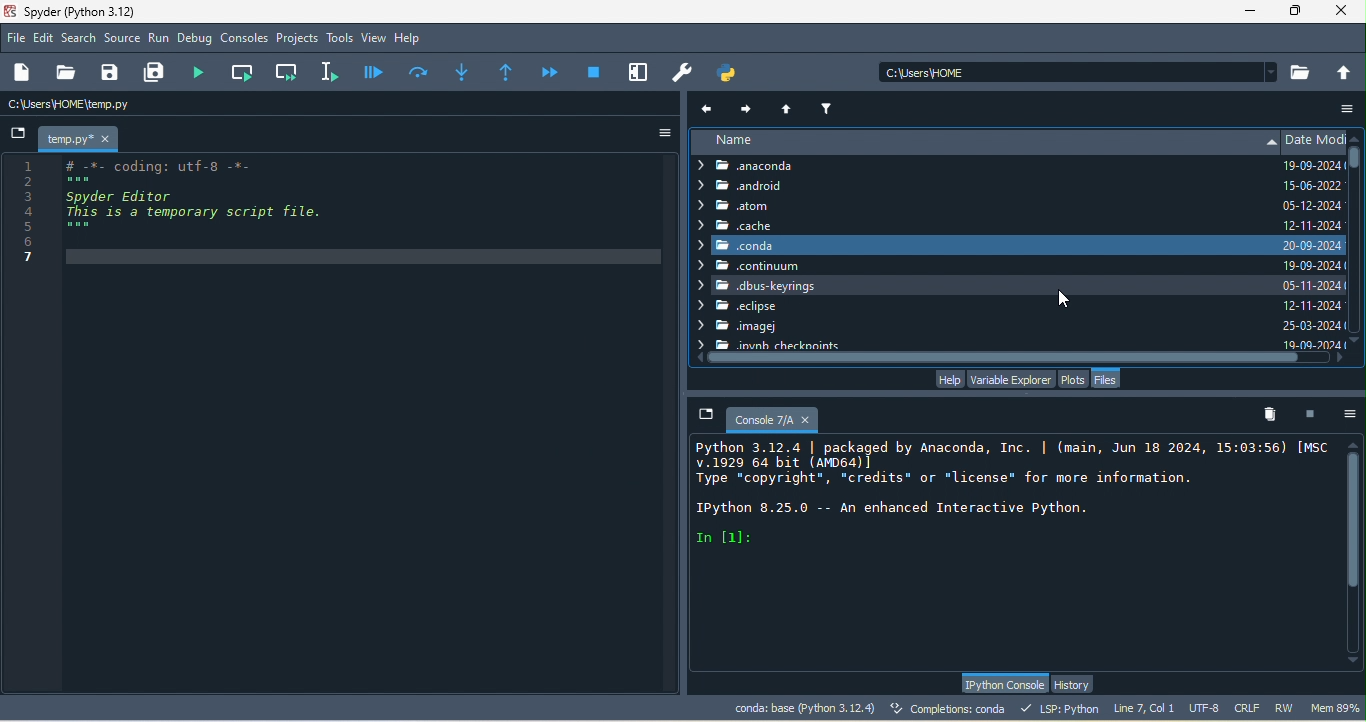 This screenshot has width=1366, height=722. I want to click on run file, so click(204, 72).